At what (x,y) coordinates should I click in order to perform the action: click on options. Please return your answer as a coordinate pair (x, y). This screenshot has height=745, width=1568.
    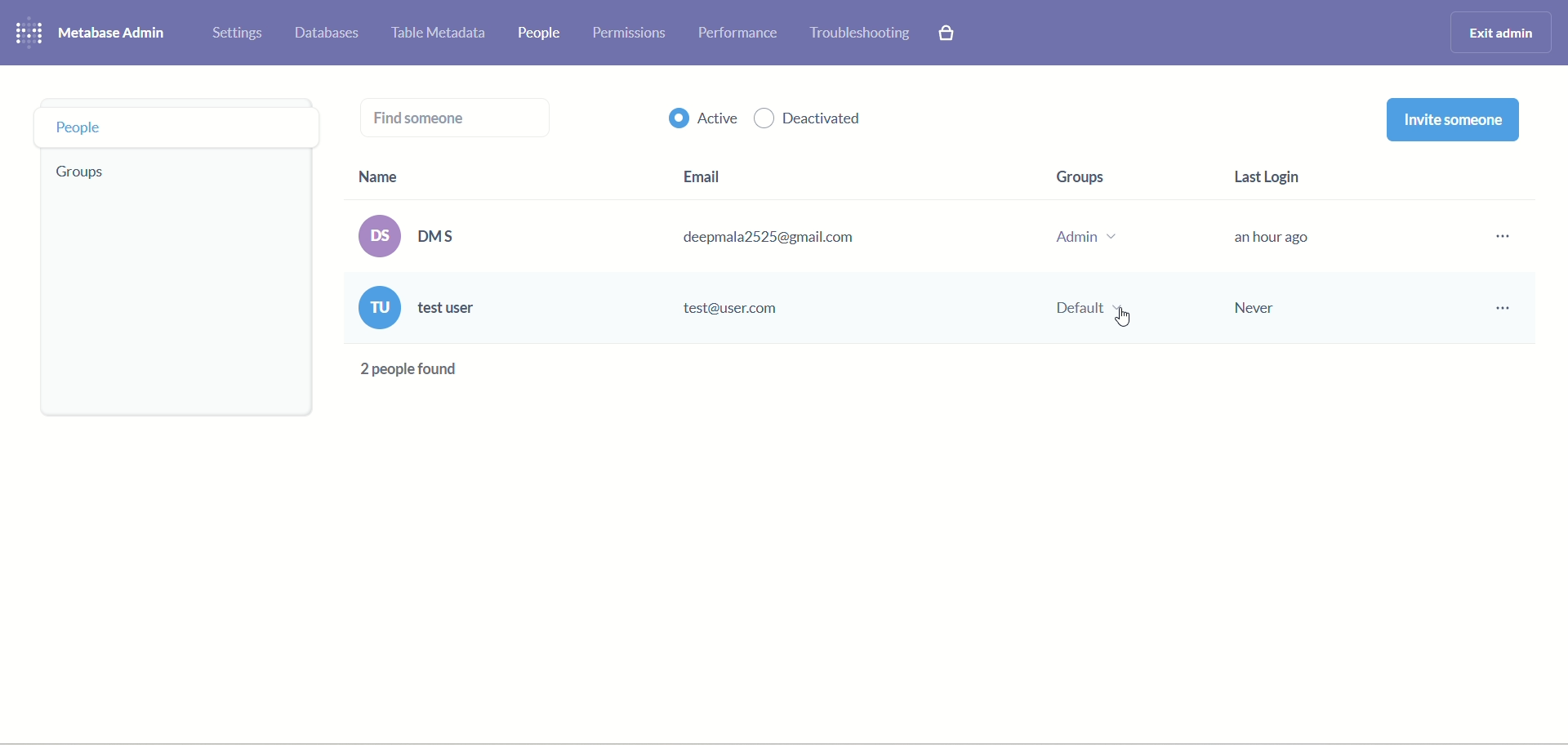
    Looking at the image, I should click on (1494, 280).